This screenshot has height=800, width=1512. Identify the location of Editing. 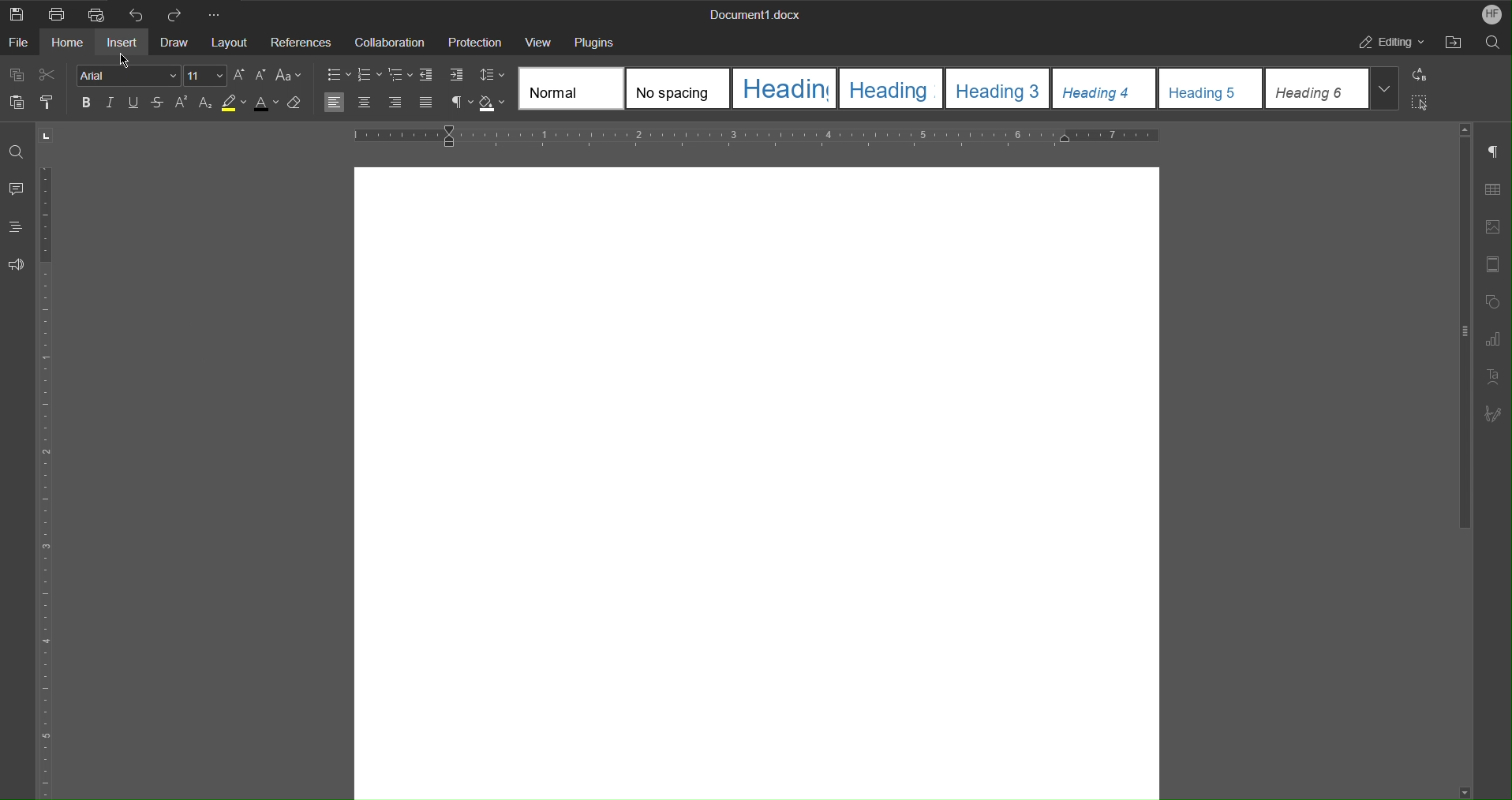
(1387, 44).